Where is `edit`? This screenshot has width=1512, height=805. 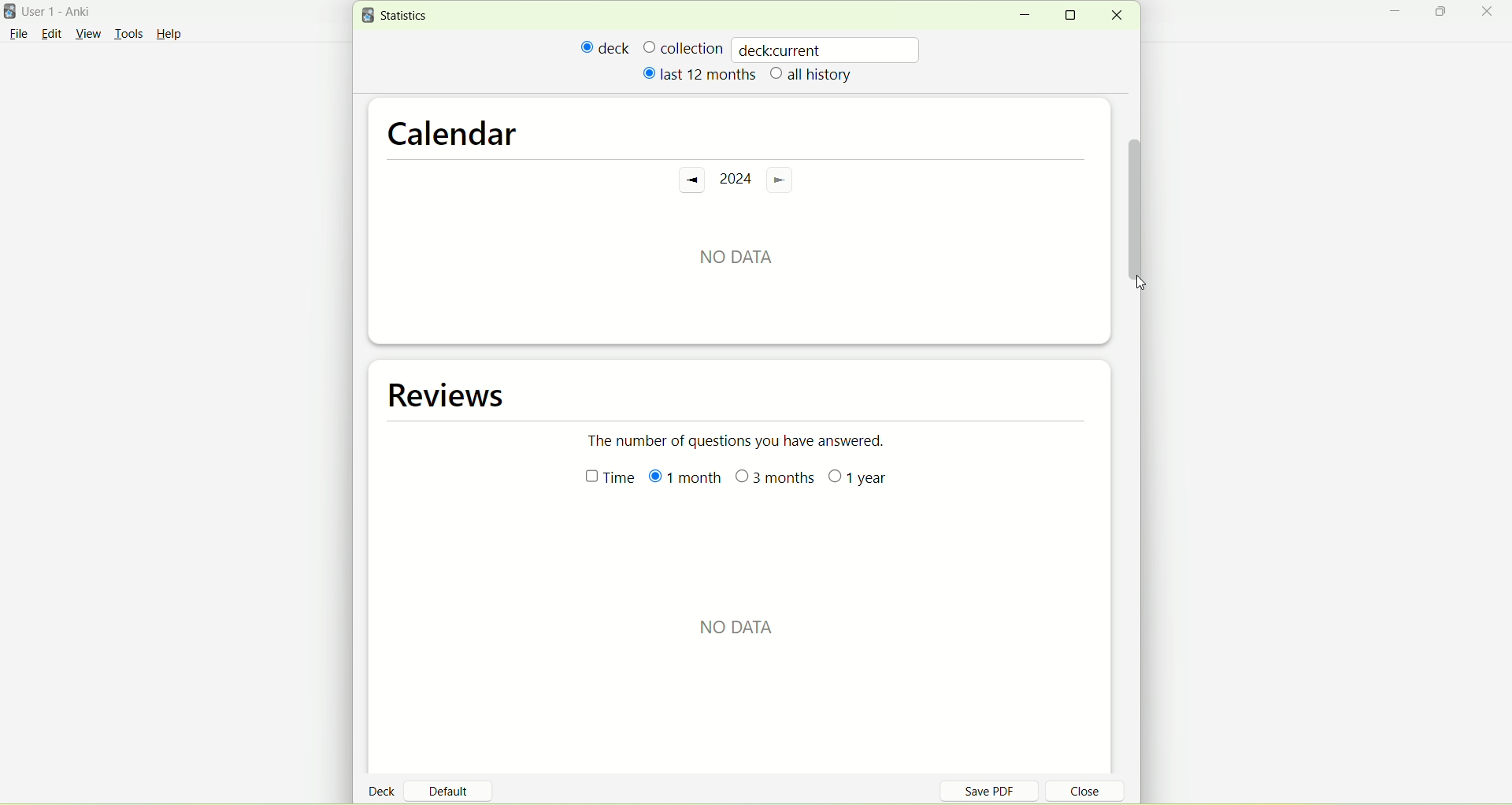
edit is located at coordinates (51, 33).